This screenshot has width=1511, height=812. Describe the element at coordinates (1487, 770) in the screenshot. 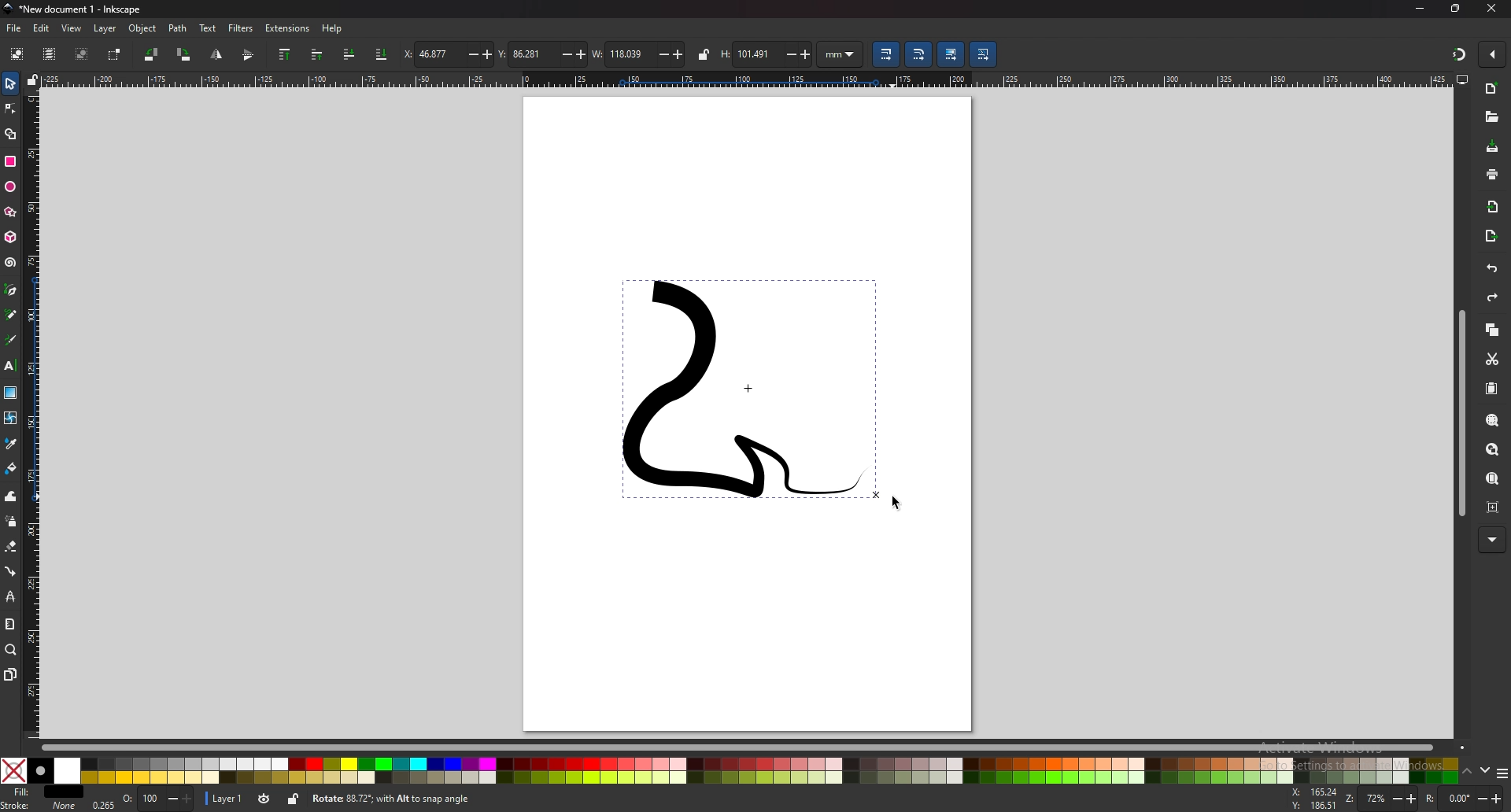

I see `down` at that location.